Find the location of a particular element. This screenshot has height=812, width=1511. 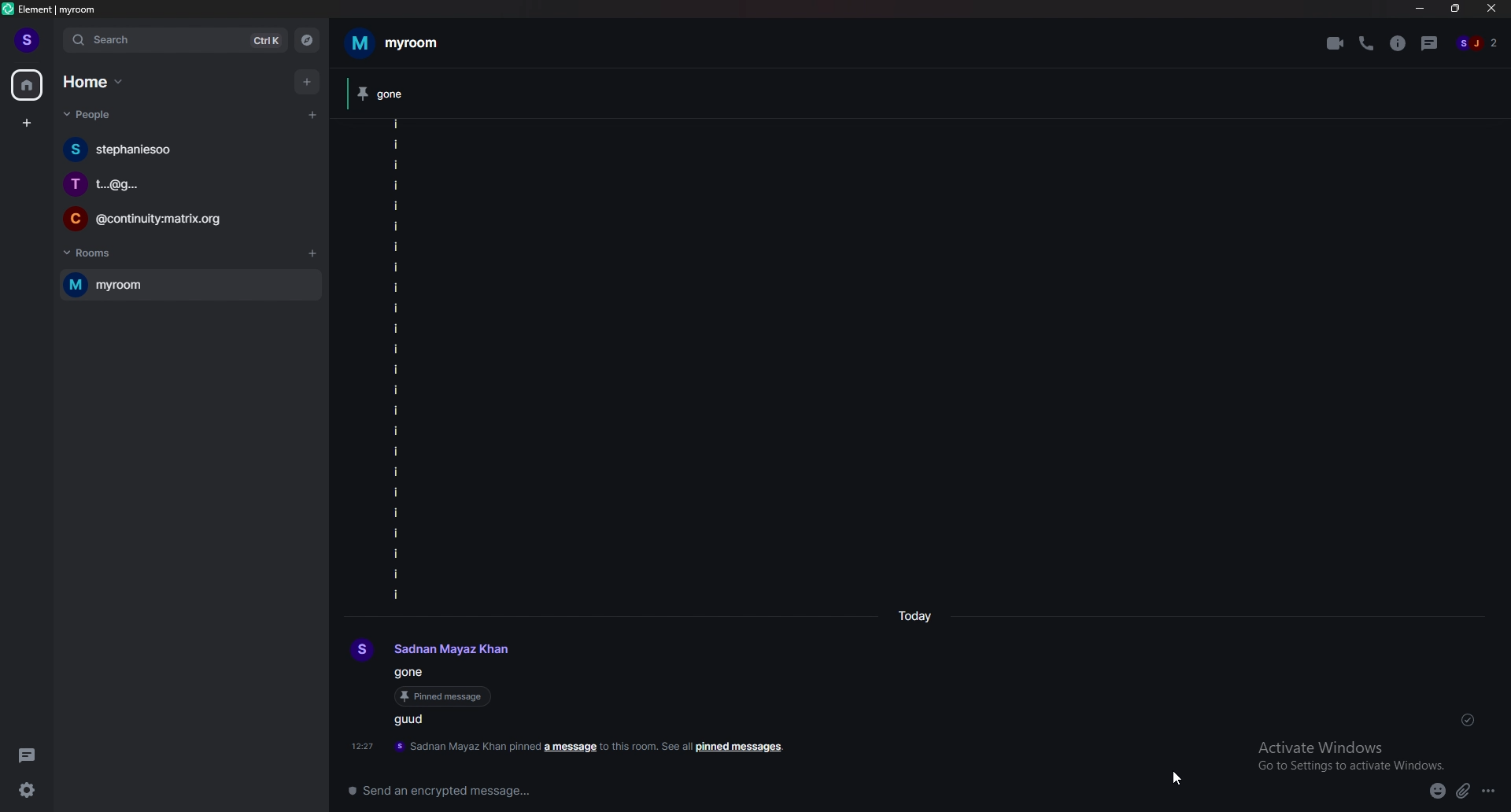

people is located at coordinates (1483, 41).